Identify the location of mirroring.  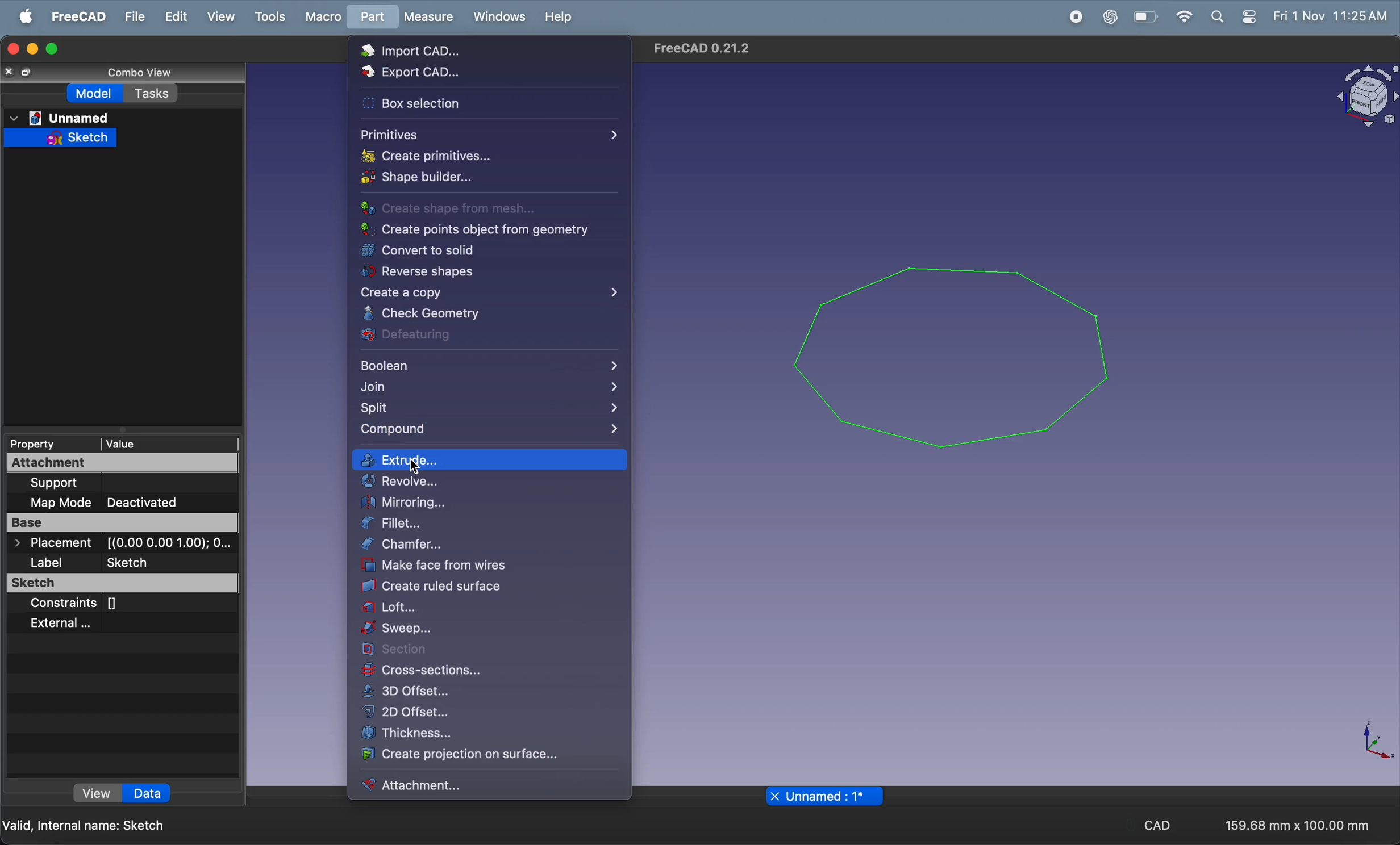
(489, 503).